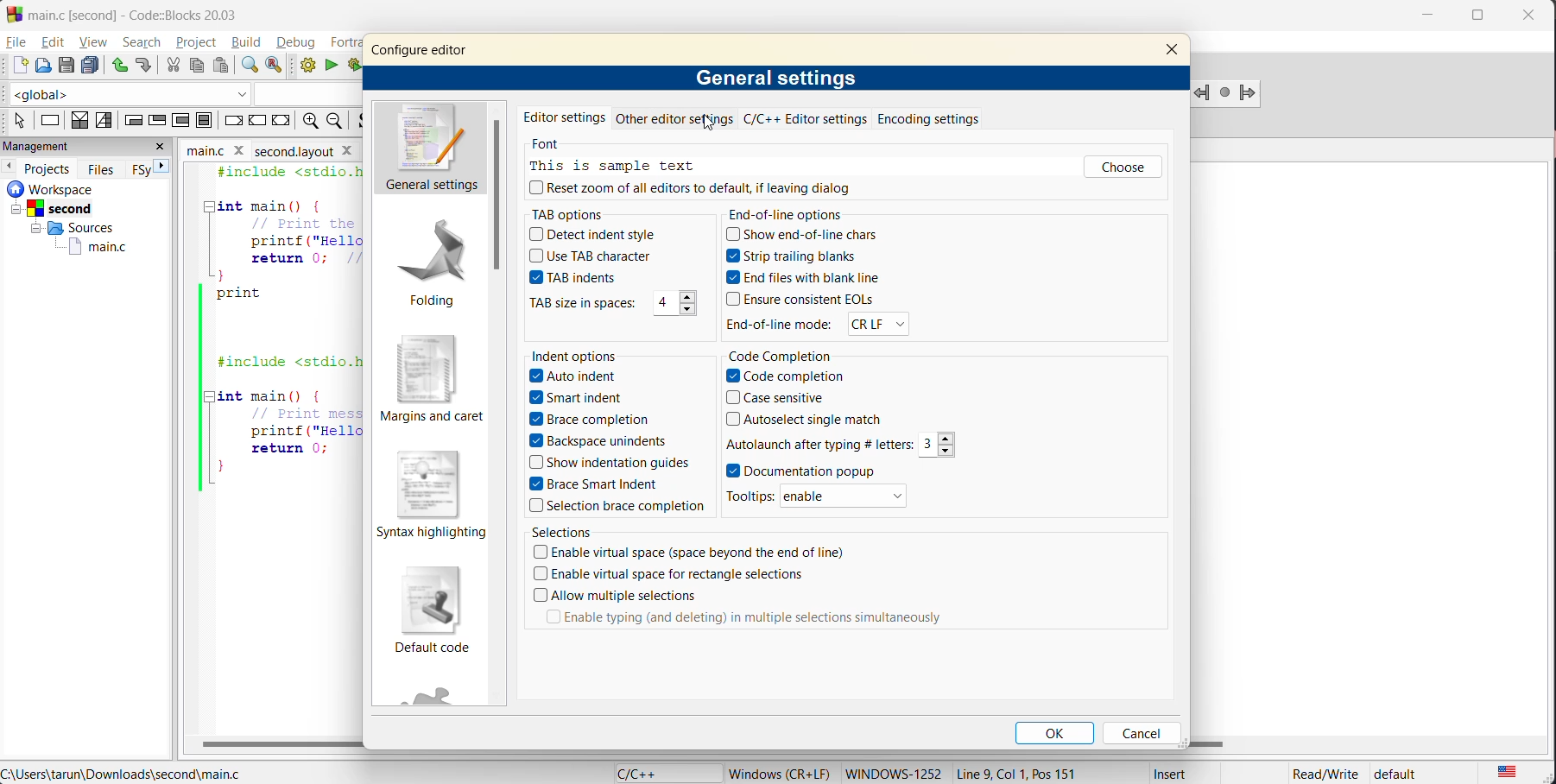 The image size is (1556, 784). I want to click on next, so click(163, 165).